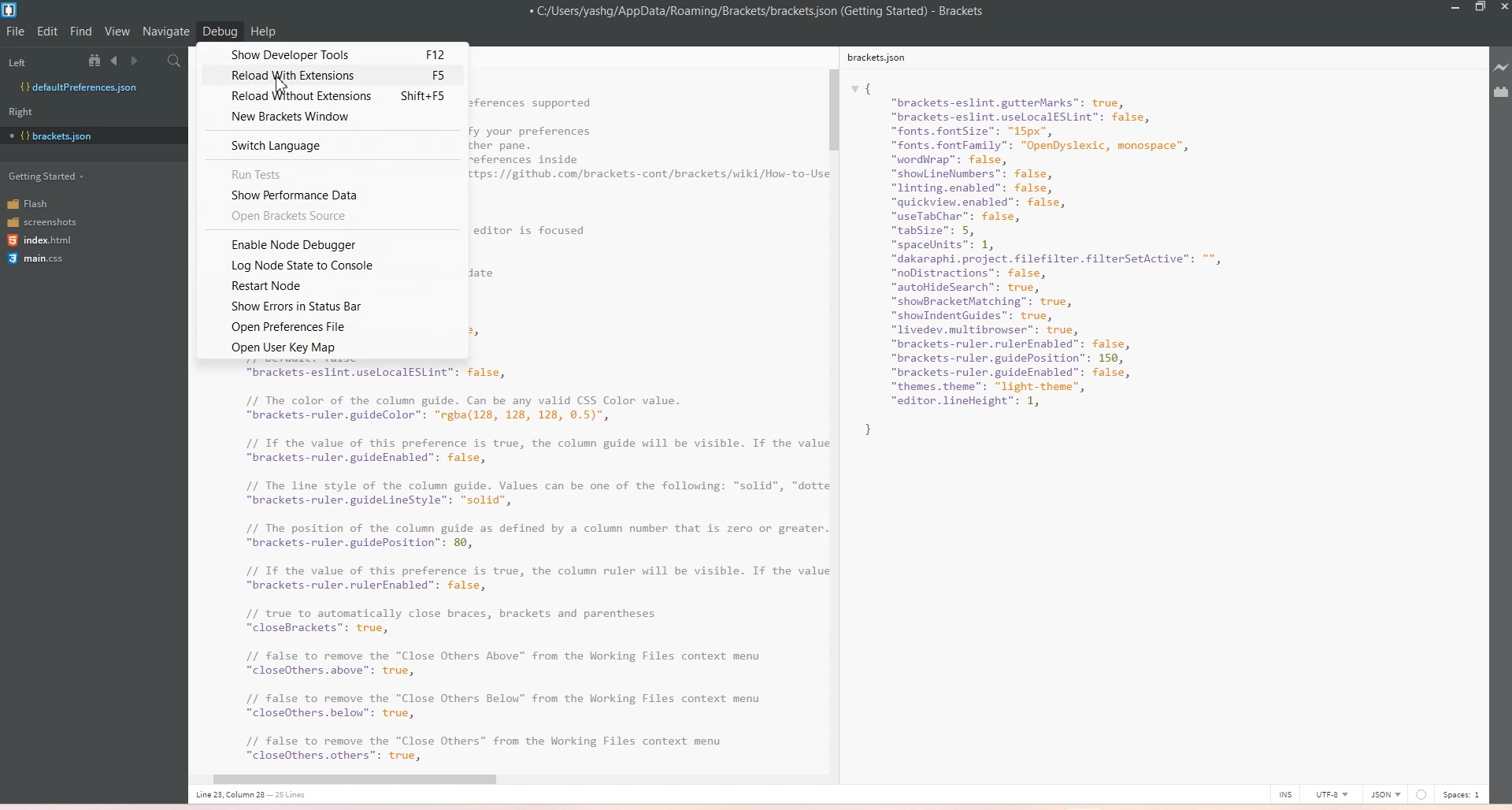 This screenshot has height=810, width=1512. I want to click on Find, so click(82, 32).